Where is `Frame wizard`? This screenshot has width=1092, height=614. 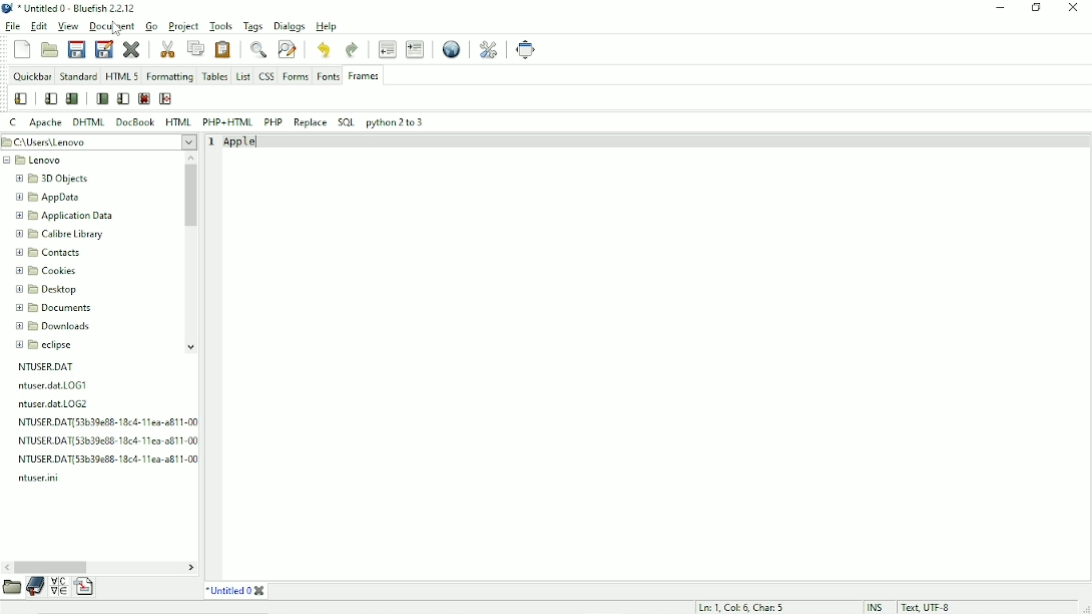
Frame wizard is located at coordinates (21, 99).